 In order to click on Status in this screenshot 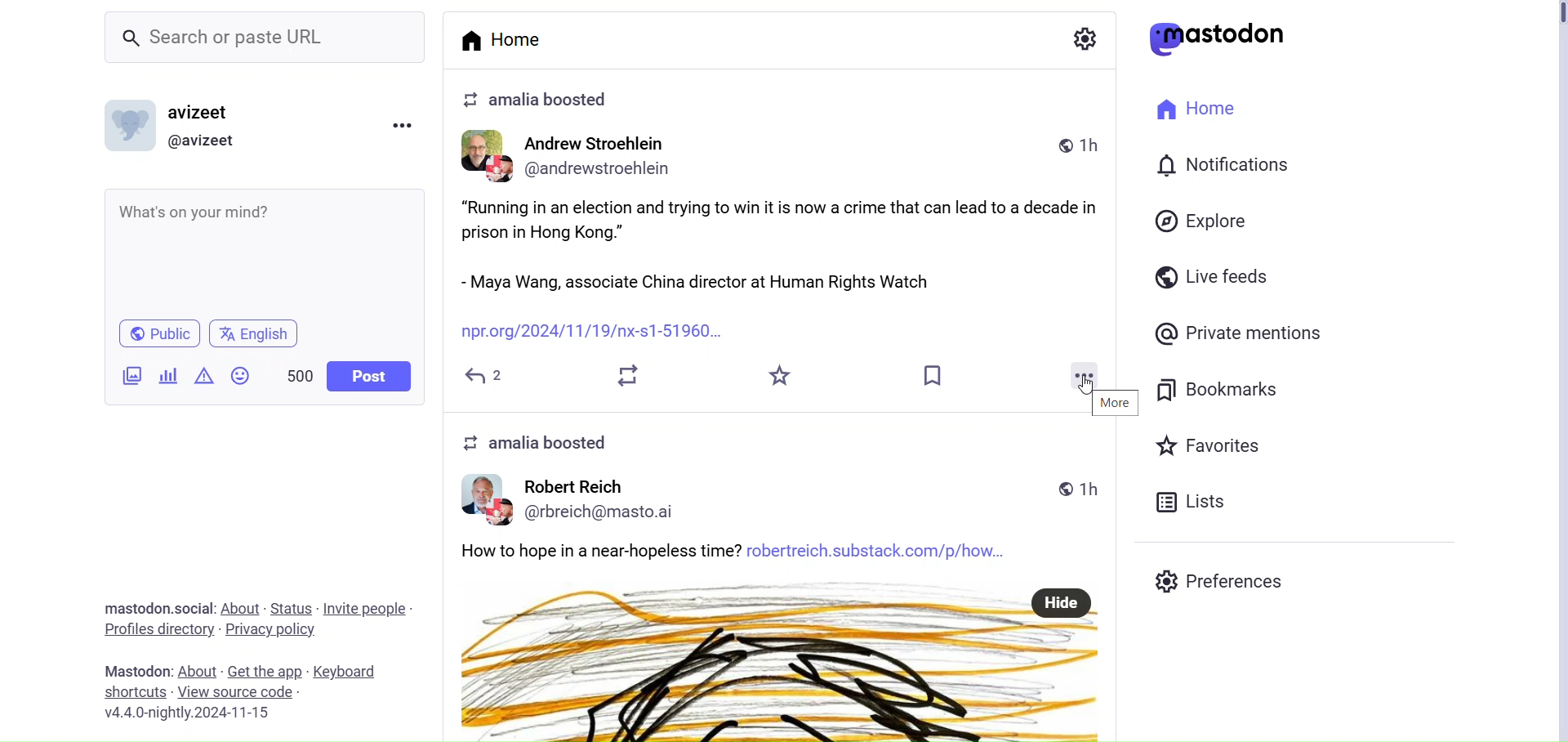, I will do `click(291, 606)`.